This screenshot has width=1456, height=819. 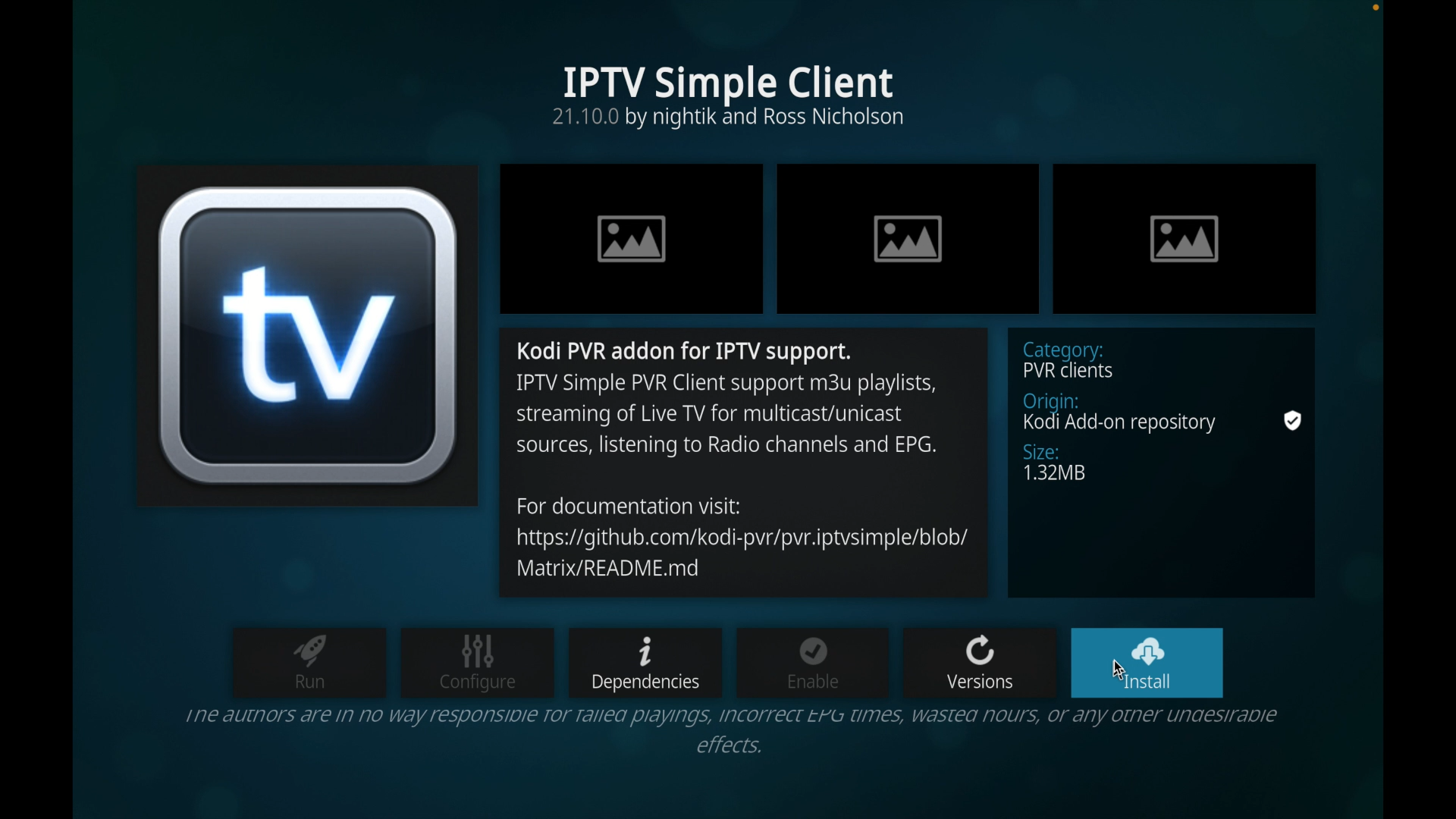 I want to click on image, so click(x=909, y=239).